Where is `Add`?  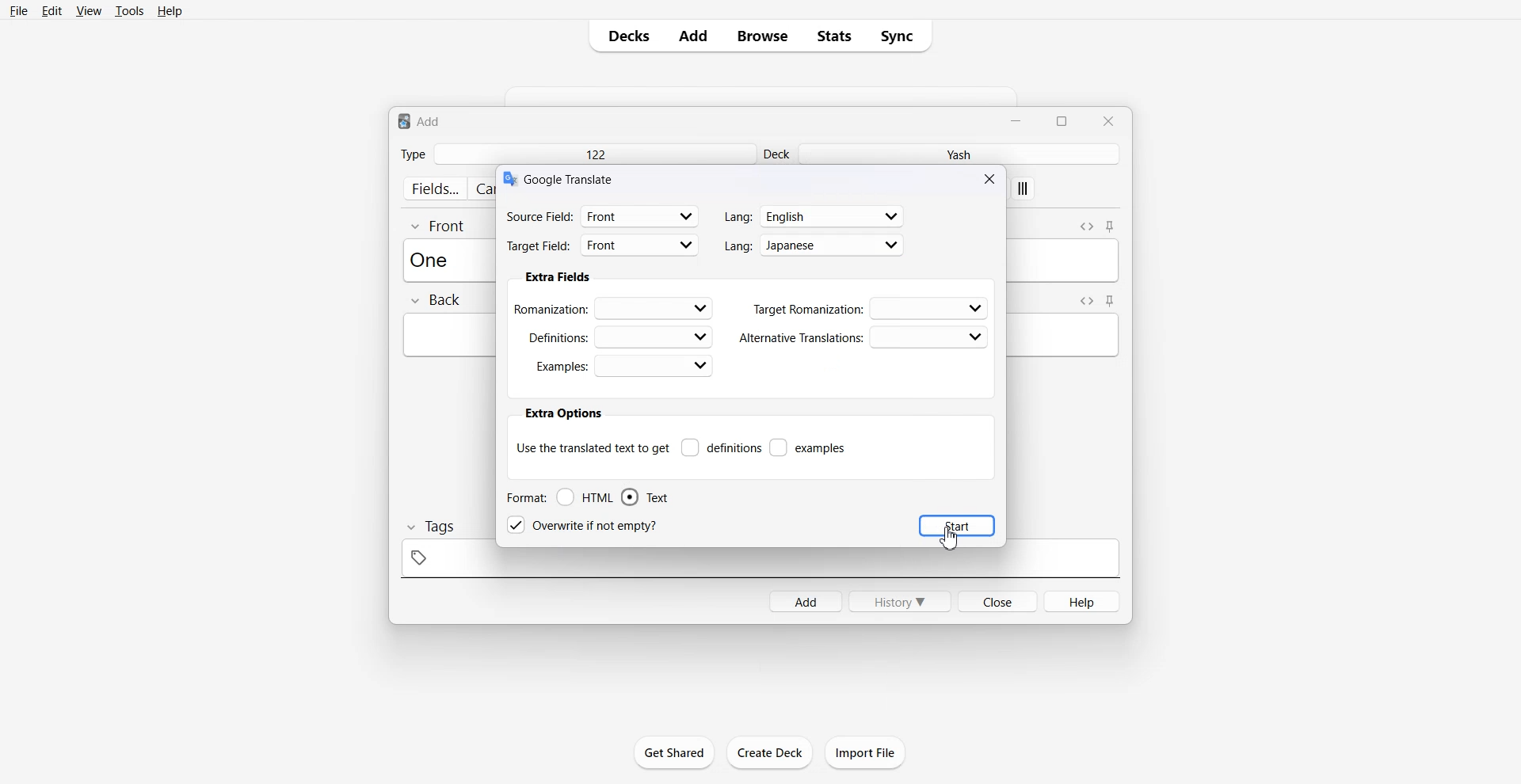 Add is located at coordinates (693, 36).